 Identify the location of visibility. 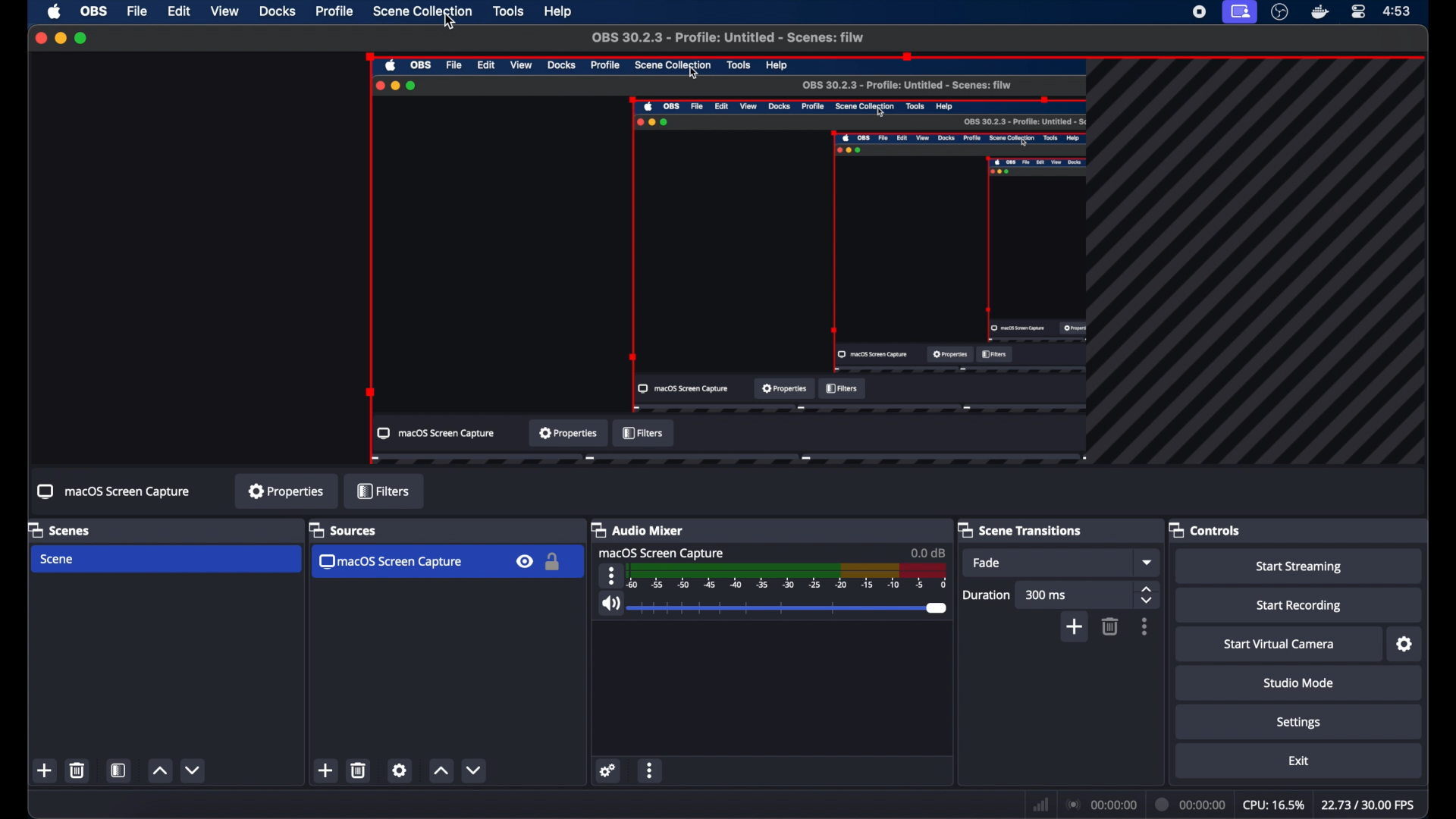
(525, 563).